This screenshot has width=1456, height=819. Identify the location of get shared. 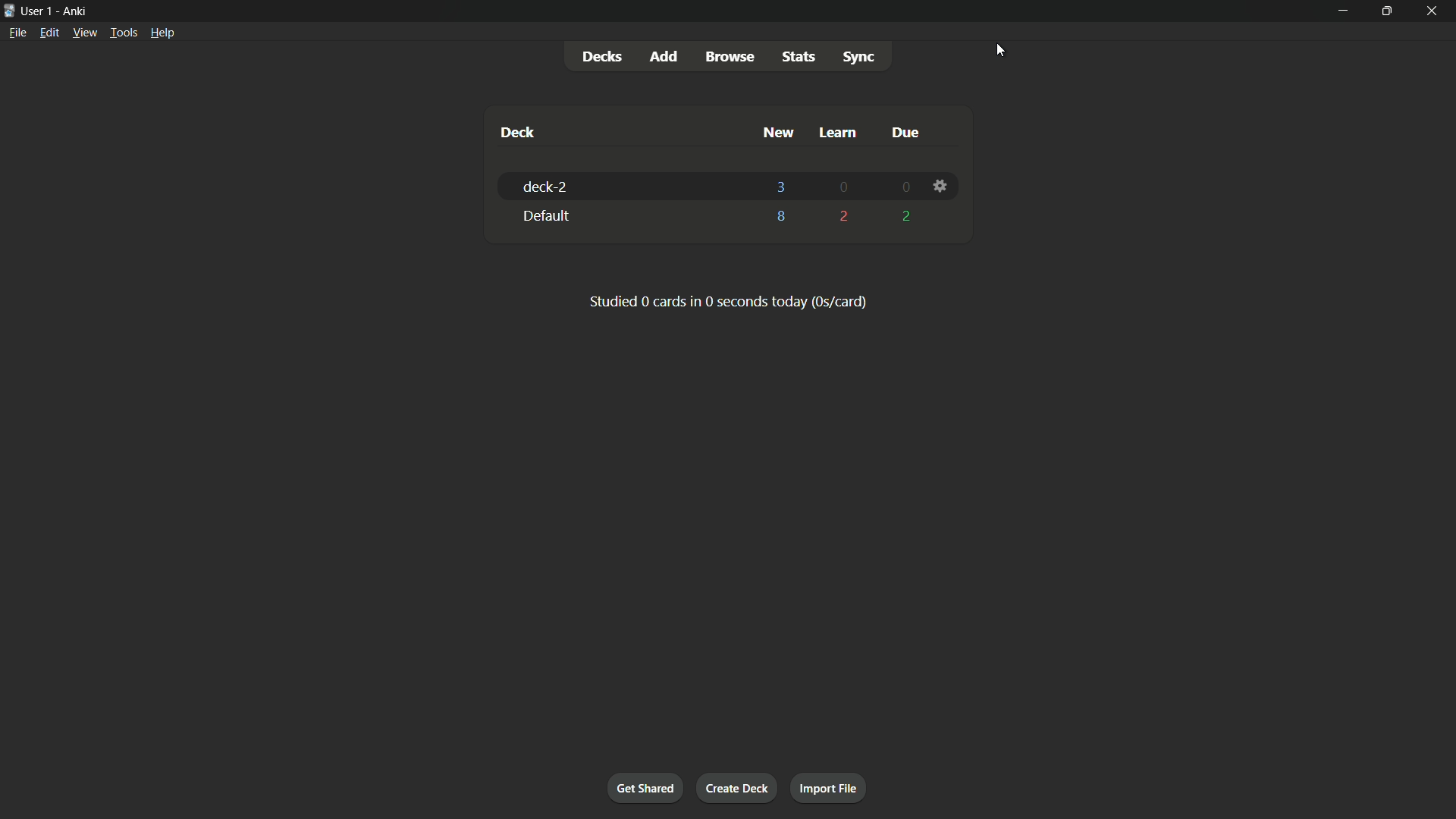
(648, 789).